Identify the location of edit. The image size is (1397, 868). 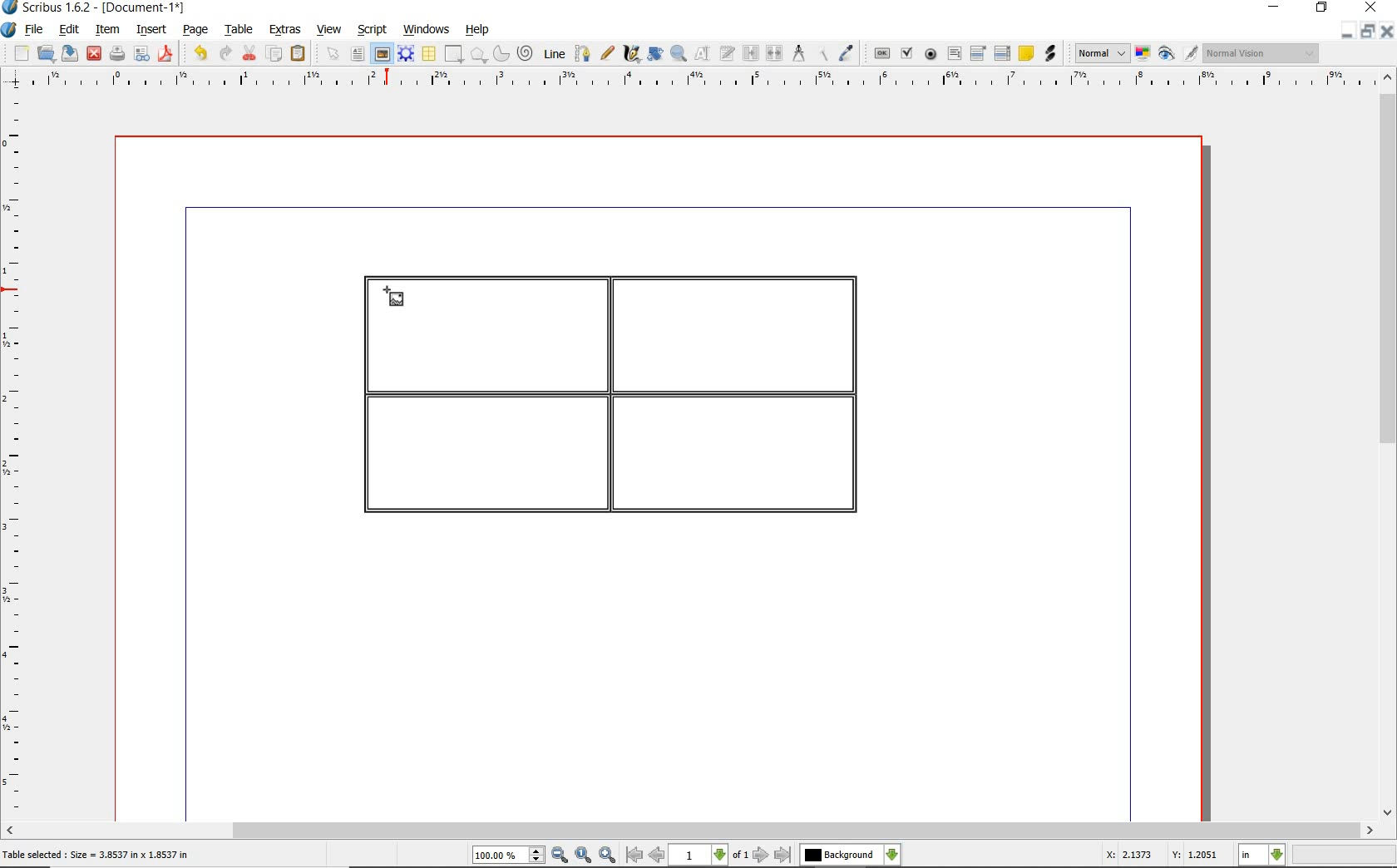
(67, 30).